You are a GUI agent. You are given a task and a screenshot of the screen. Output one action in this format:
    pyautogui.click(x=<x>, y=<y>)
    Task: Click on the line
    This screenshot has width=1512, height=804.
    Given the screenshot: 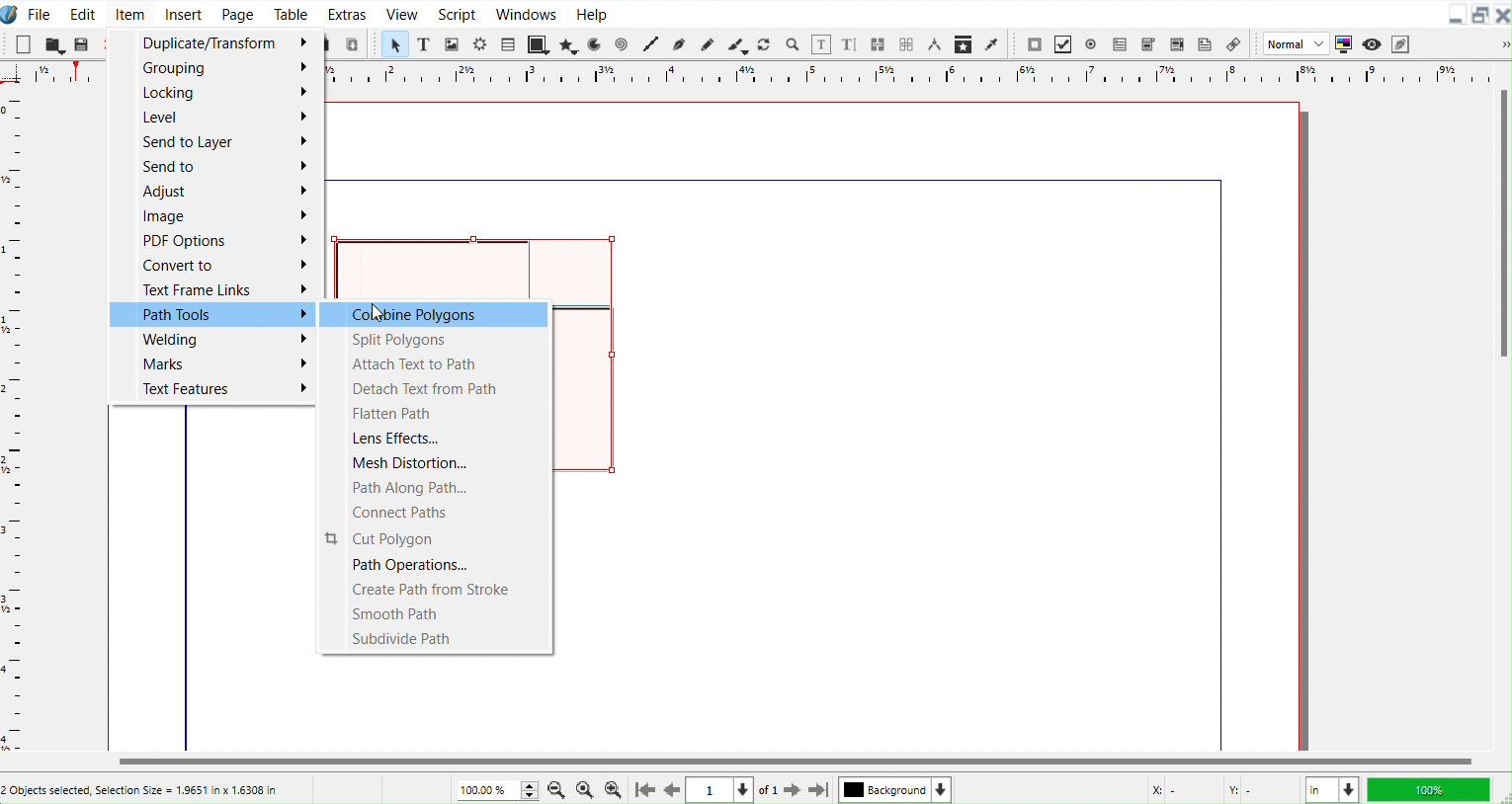 What is the action you would take?
    pyautogui.click(x=191, y=578)
    